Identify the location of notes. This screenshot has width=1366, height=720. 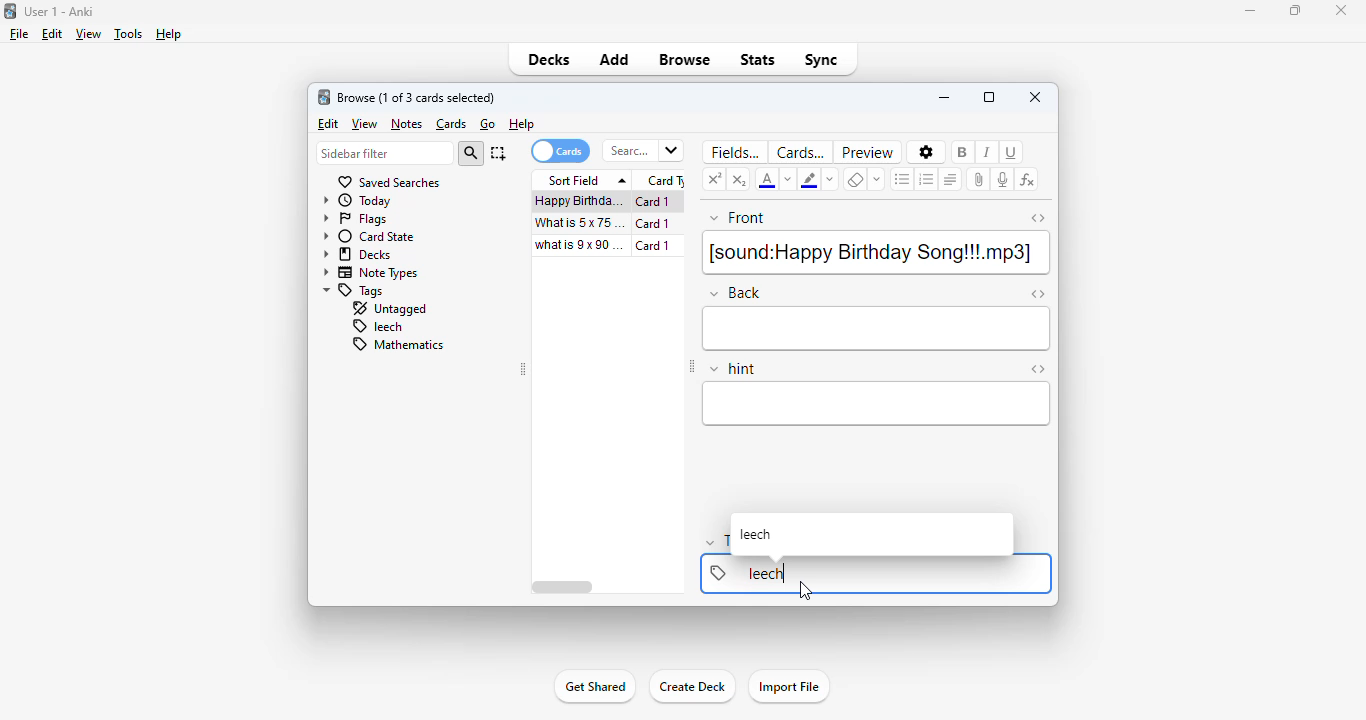
(406, 124).